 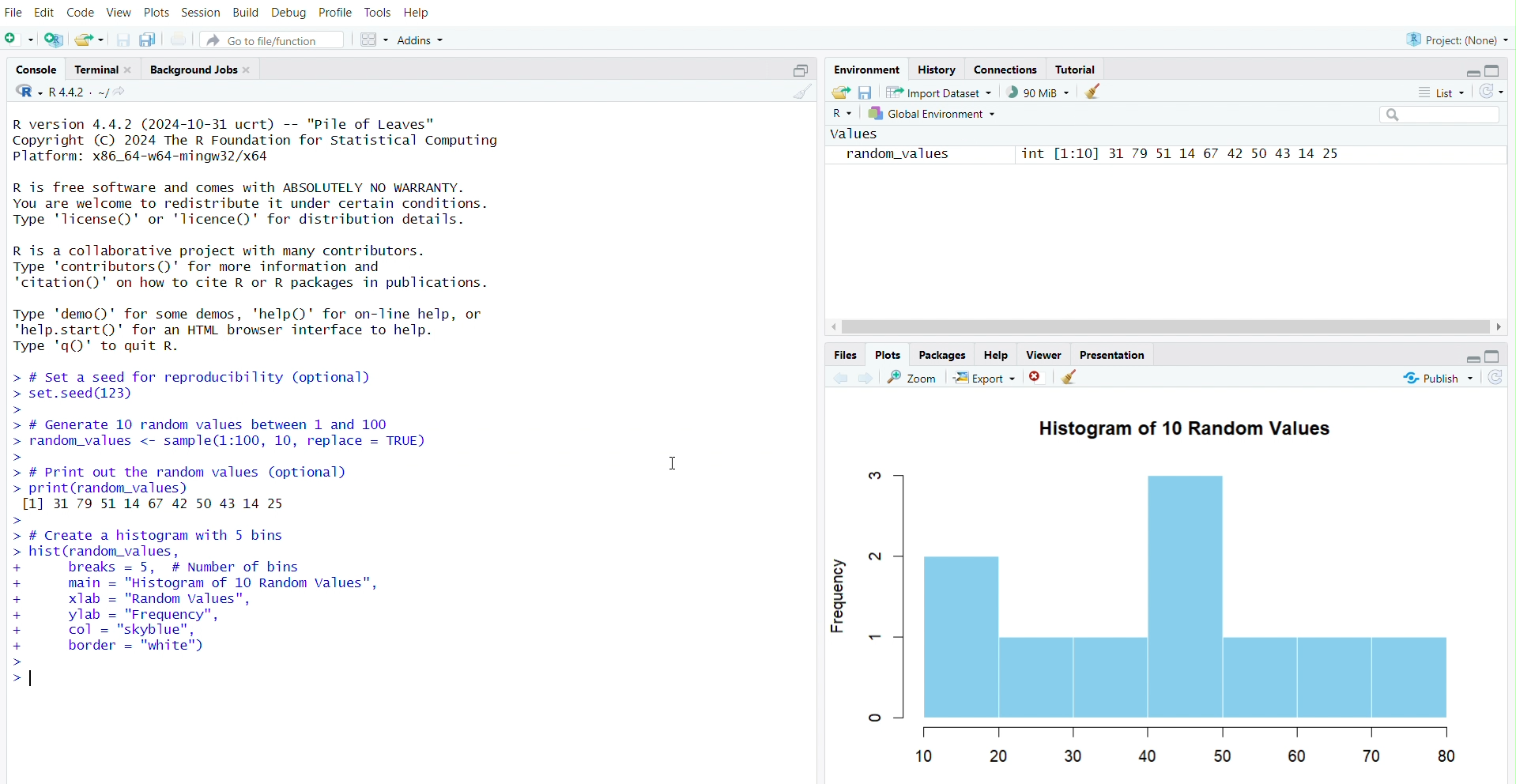 What do you see at coordinates (1038, 92) in the screenshot?
I see `88 MiB` at bounding box center [1038, 92].